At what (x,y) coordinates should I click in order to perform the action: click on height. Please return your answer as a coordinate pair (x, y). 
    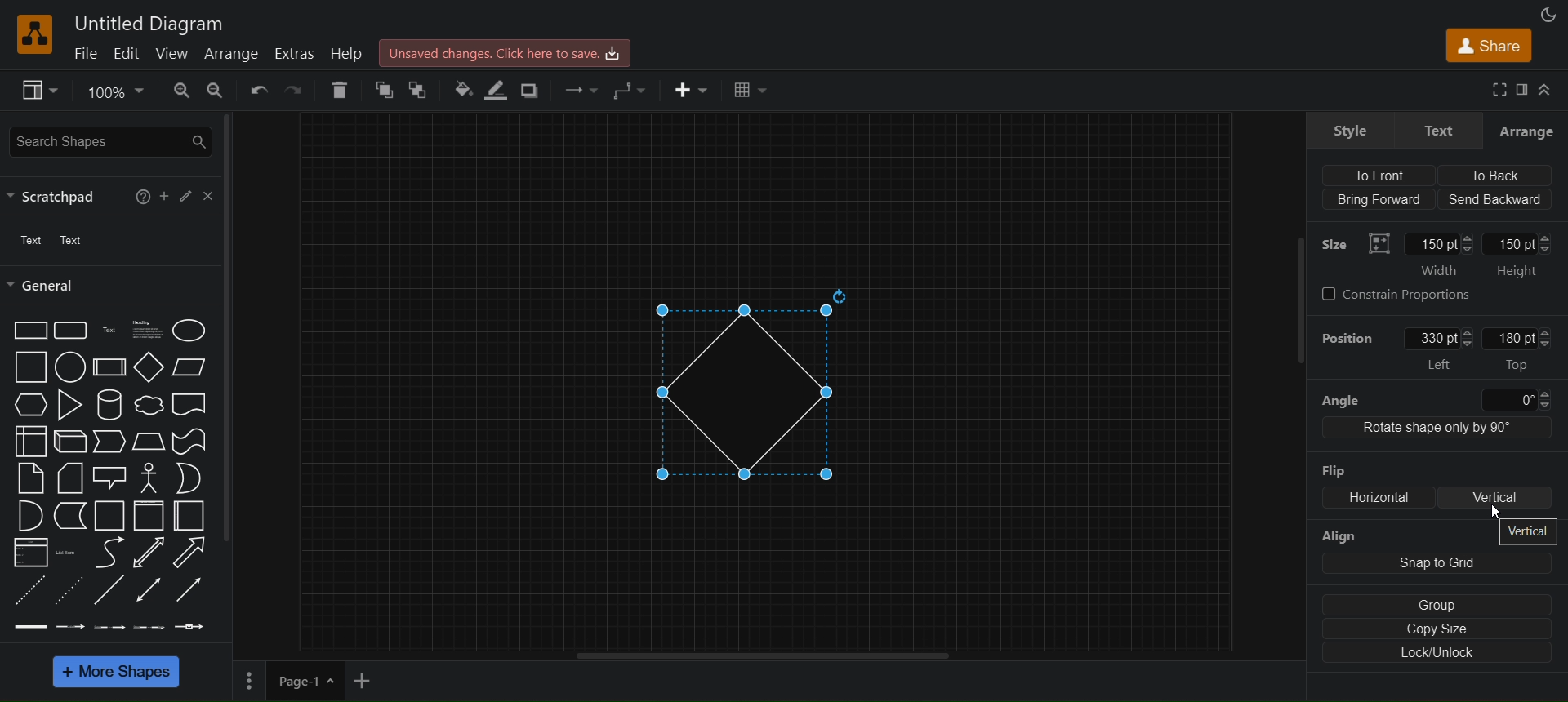
    Looking at the image, I should click on (1521, 257).